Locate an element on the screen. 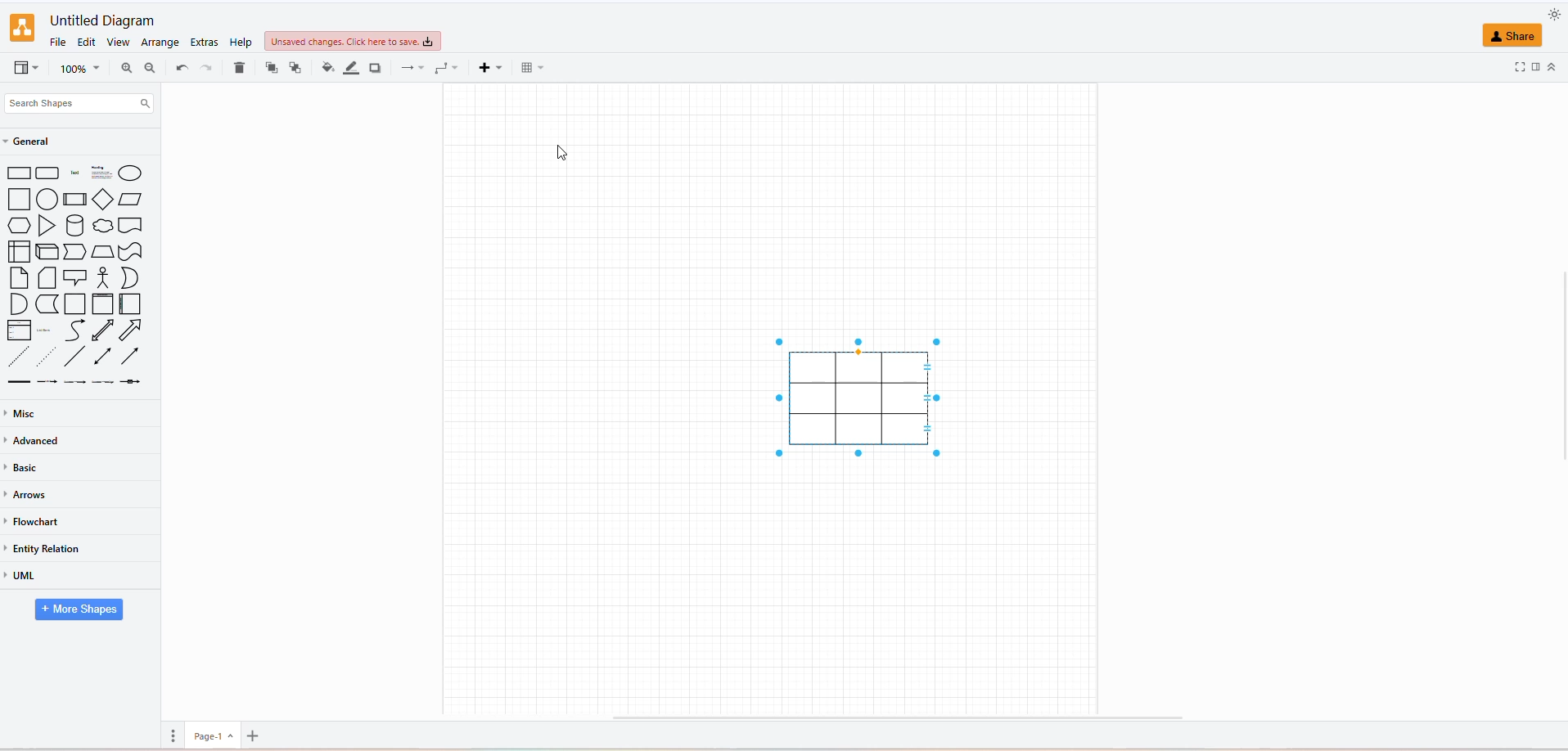 This screenshot has height=751, width=1568. arrange is located at coordinates (162, 44).